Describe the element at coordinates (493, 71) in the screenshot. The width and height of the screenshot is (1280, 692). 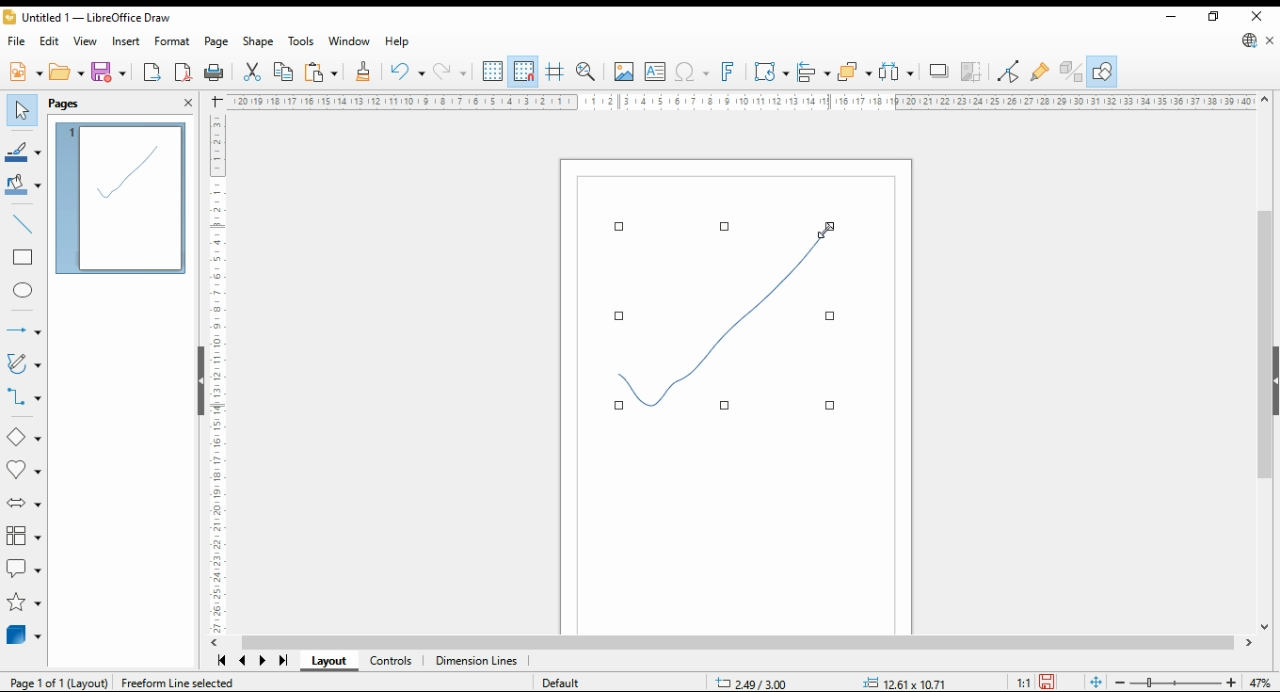
I see `show grid` at that location.